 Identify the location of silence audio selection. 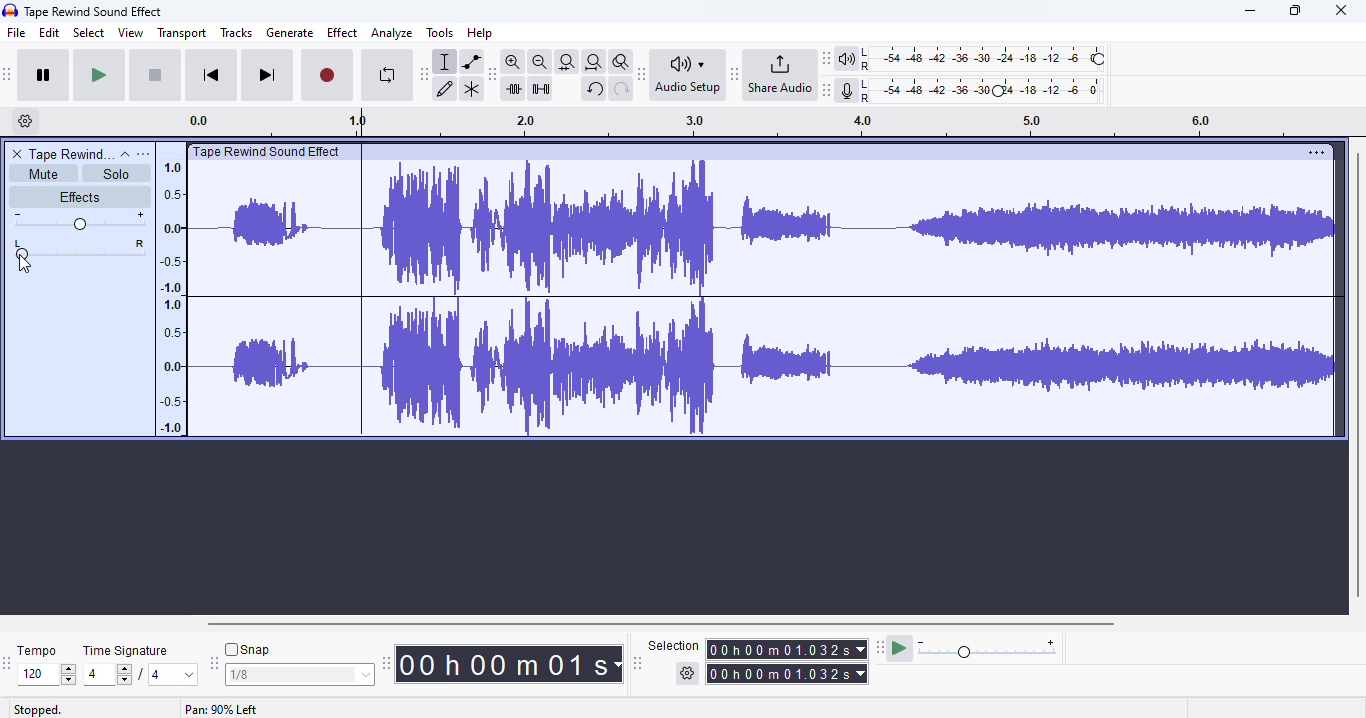
(541, 89).